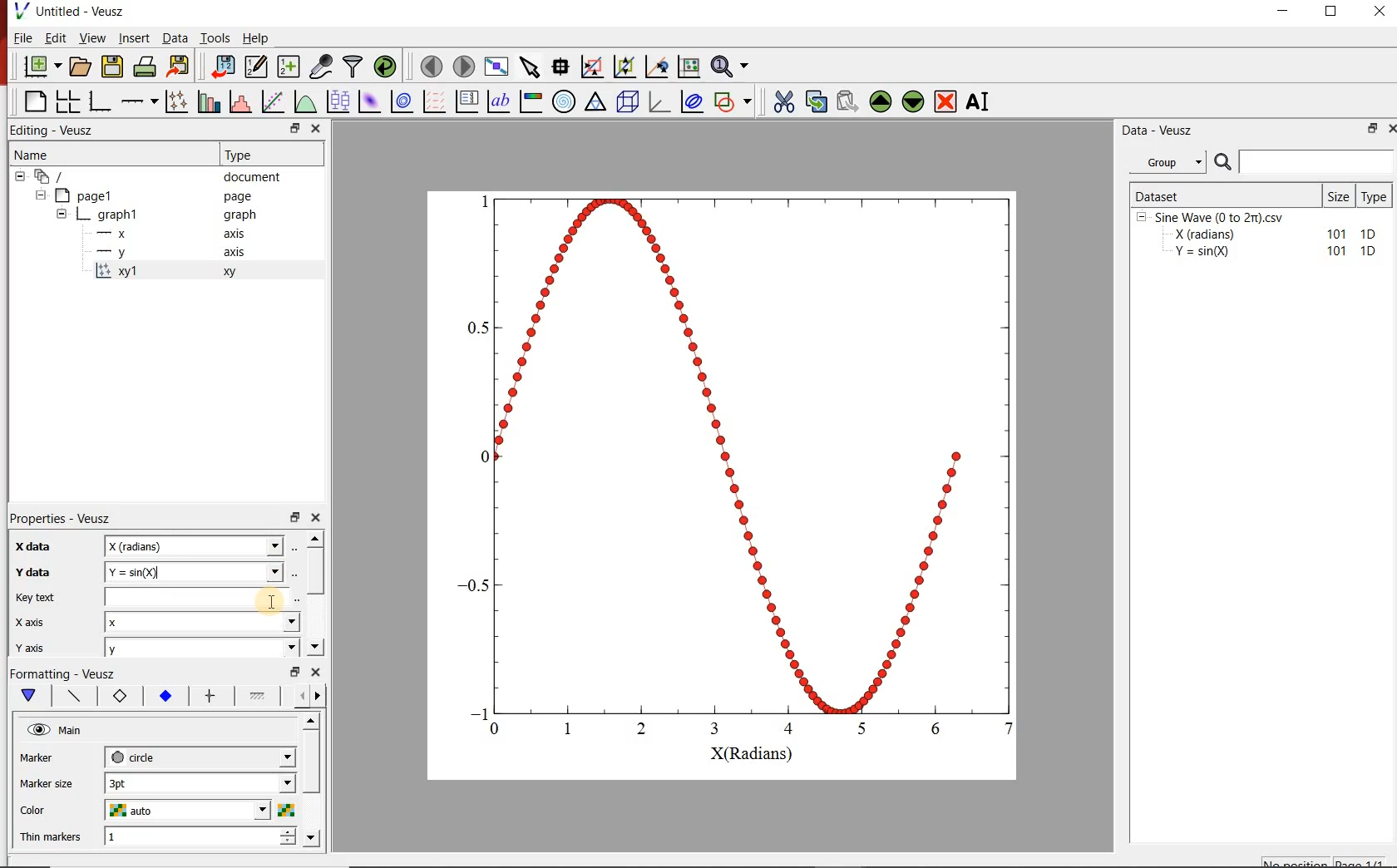  I want to click on Formatting - Veusz, so click(62, 672).